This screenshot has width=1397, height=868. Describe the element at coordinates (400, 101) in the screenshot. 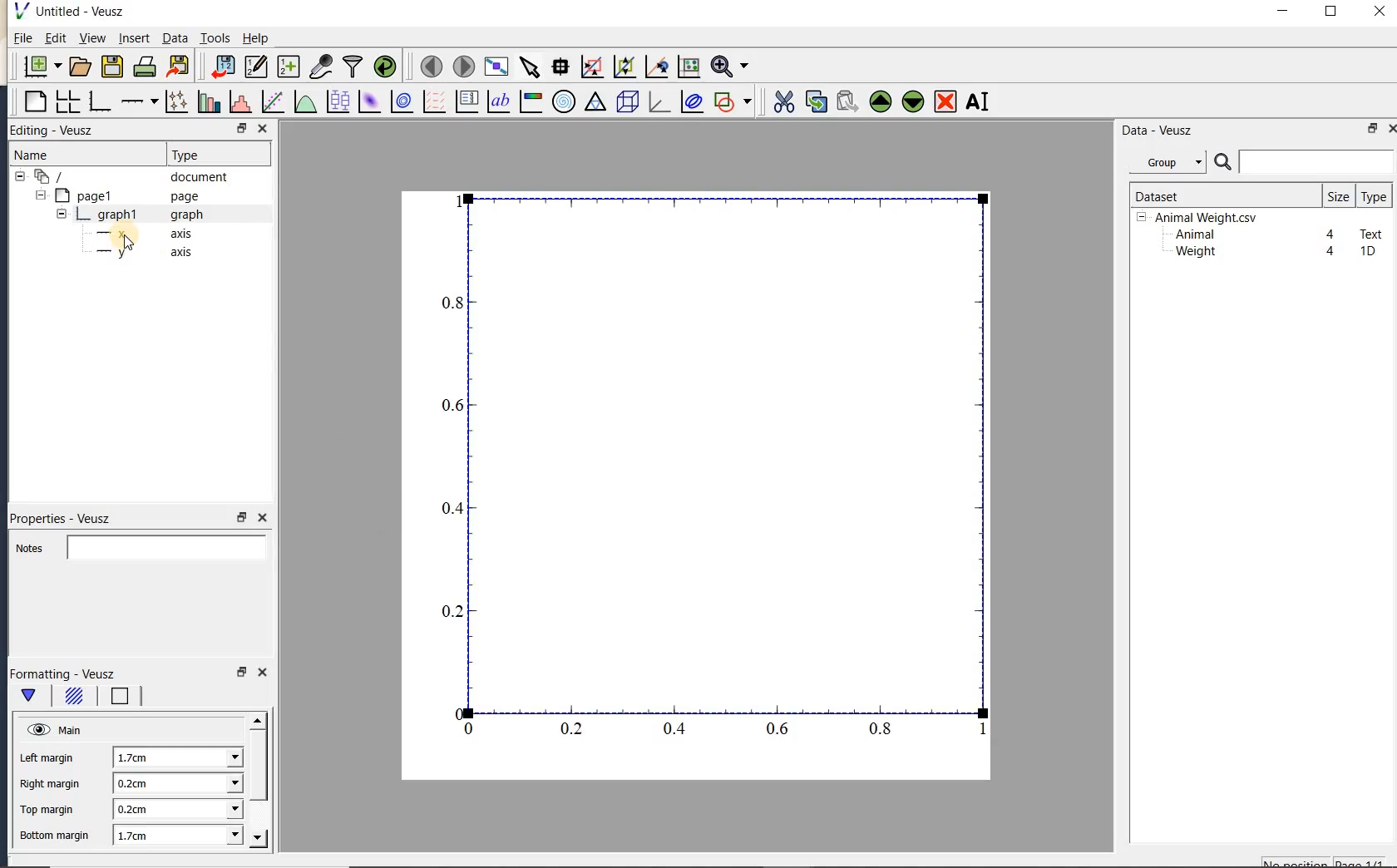

I see `plot a 2d dataset as contours` at that location.